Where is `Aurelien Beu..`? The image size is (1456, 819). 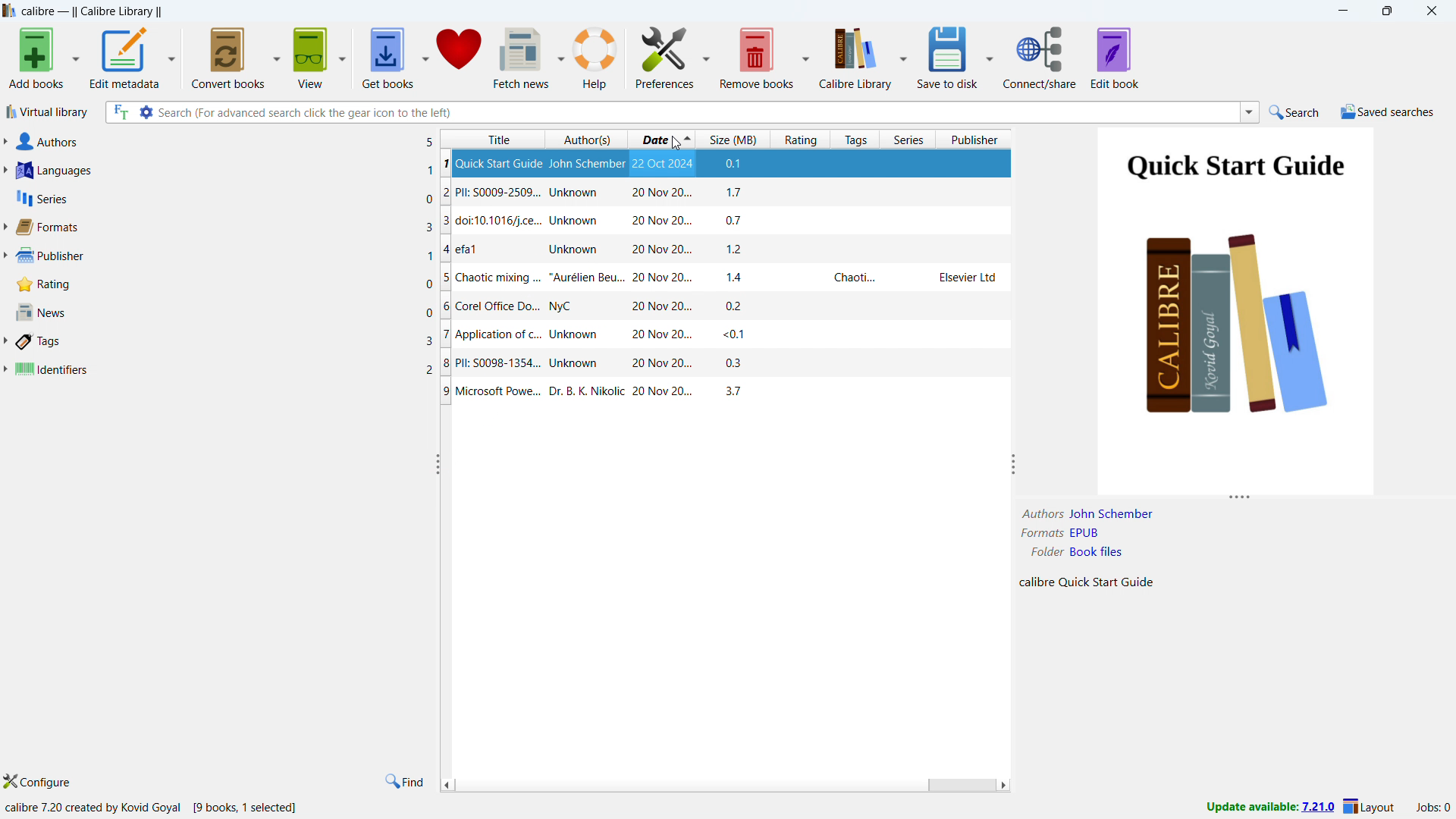 Aurelien Beu.. is located at coordinates (588, 336).